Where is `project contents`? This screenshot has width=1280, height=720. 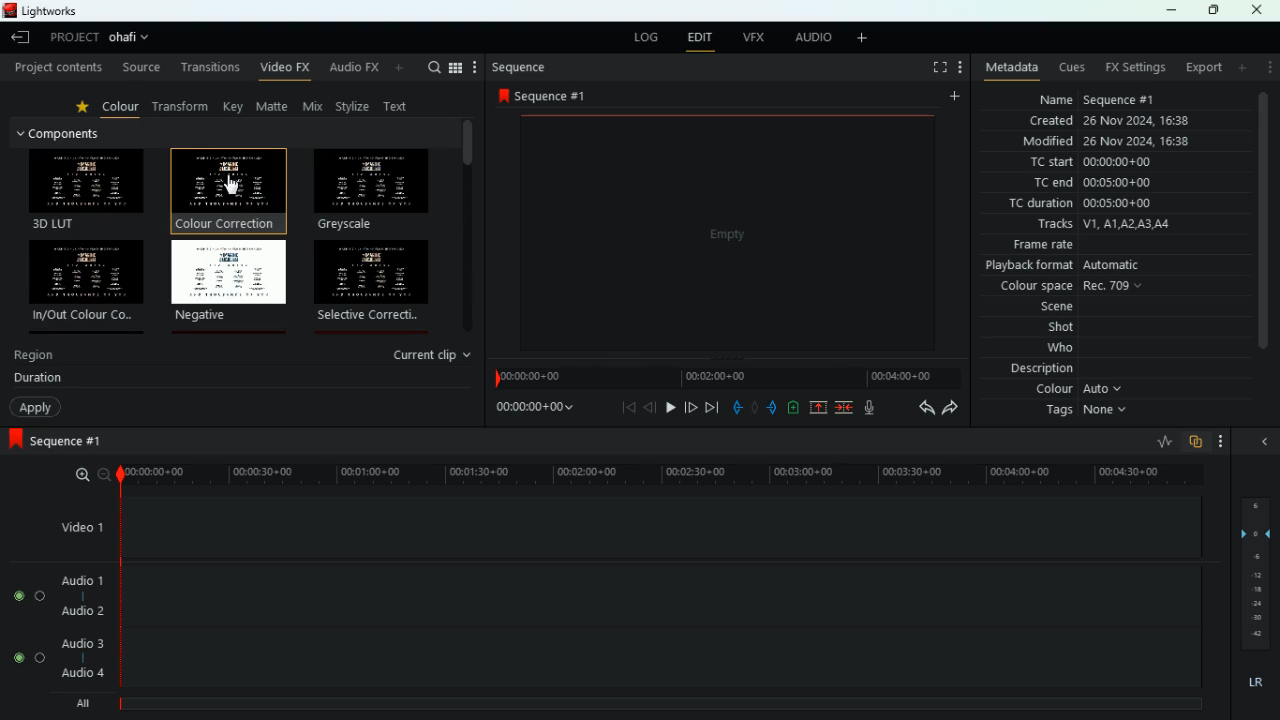
project contents is located at coordinates (57, 68).